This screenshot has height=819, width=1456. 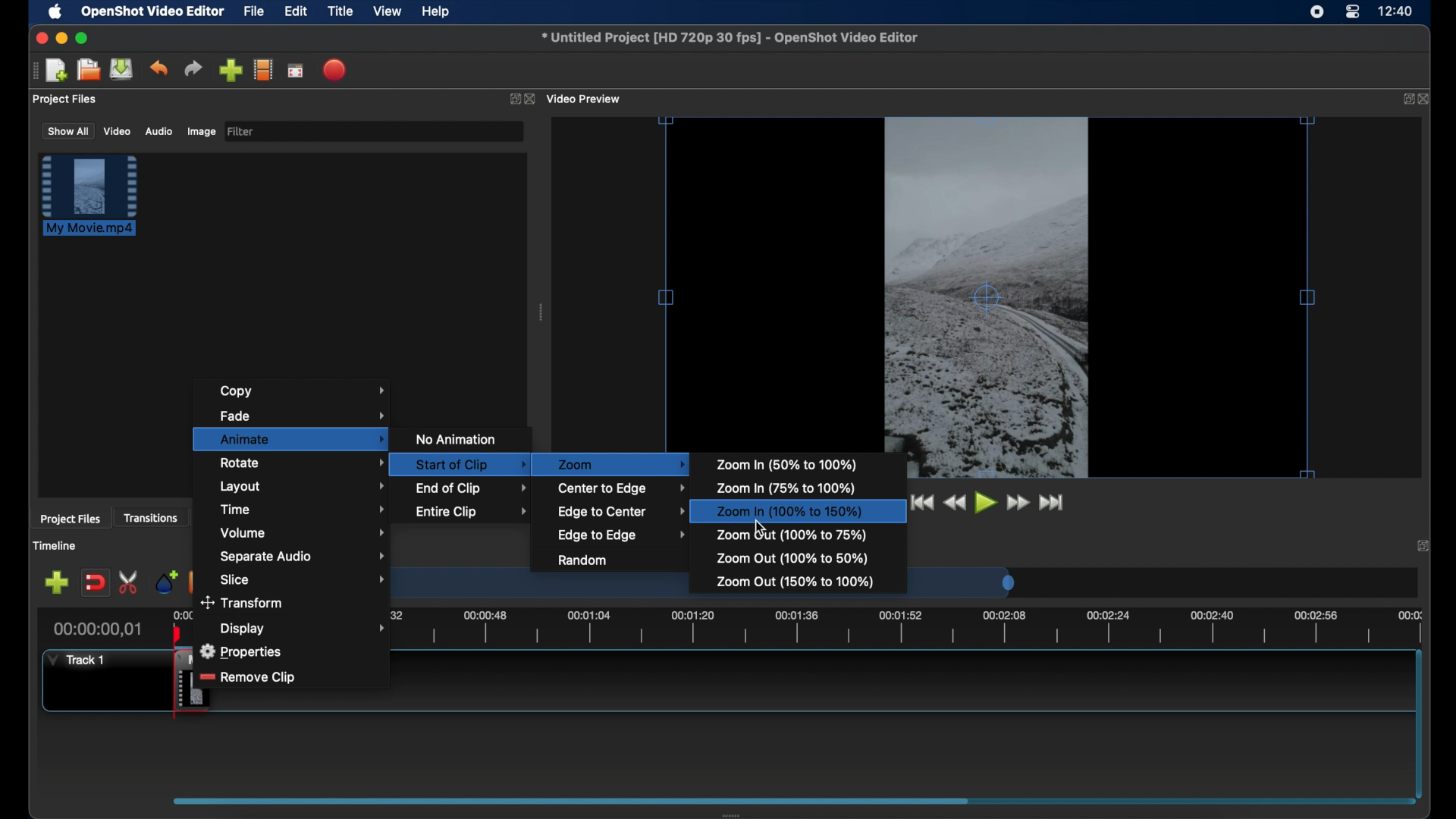 What do you see at coordinates (290, 438) in the screenshot?
I see `animate menu highlighted` at bounding box center [290, 438].